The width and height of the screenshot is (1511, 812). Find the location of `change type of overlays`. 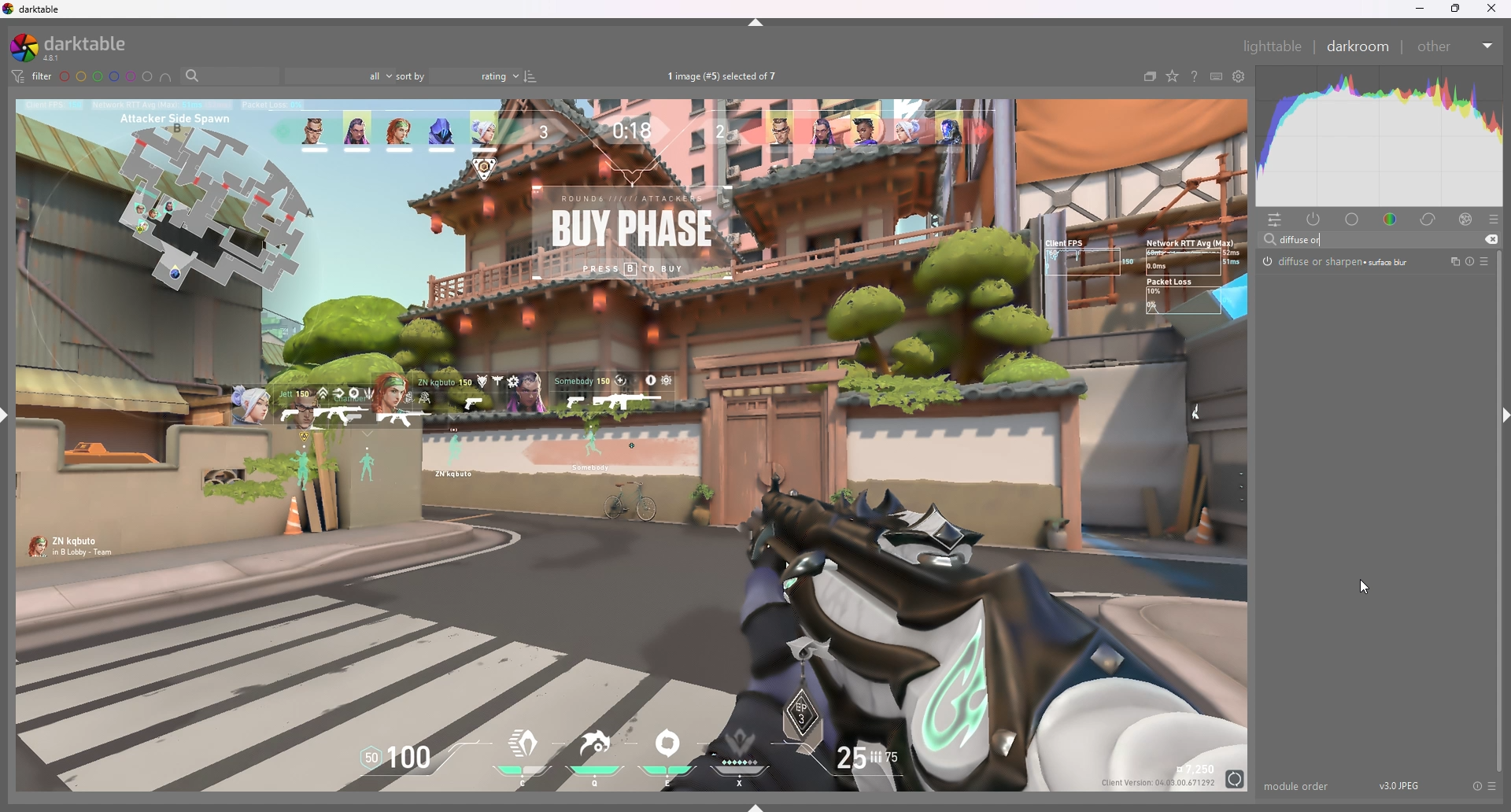

change type of overlays is located at coordinates (1173, 76).